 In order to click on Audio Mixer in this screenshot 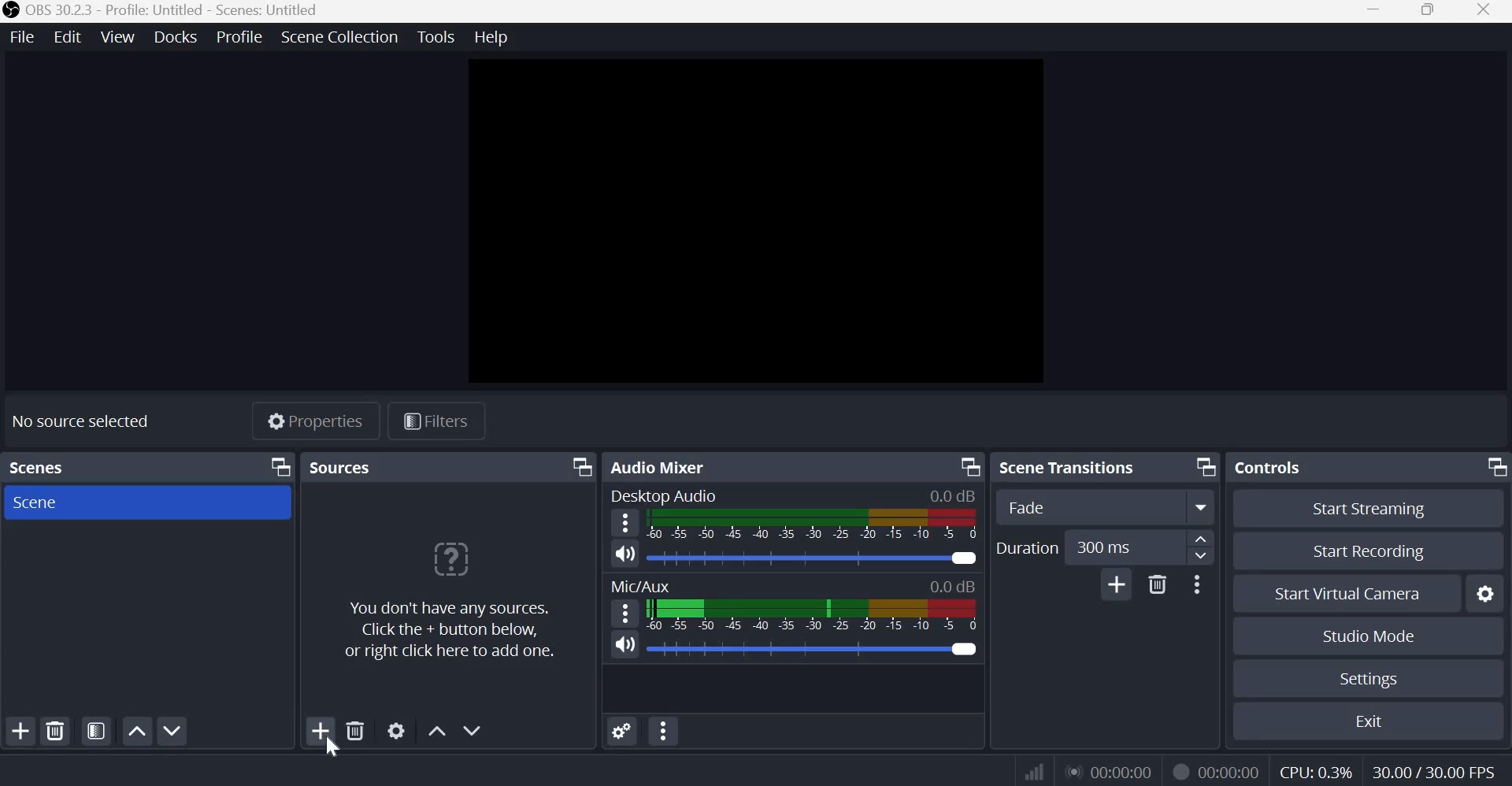, I will do `click(661, 467)`.